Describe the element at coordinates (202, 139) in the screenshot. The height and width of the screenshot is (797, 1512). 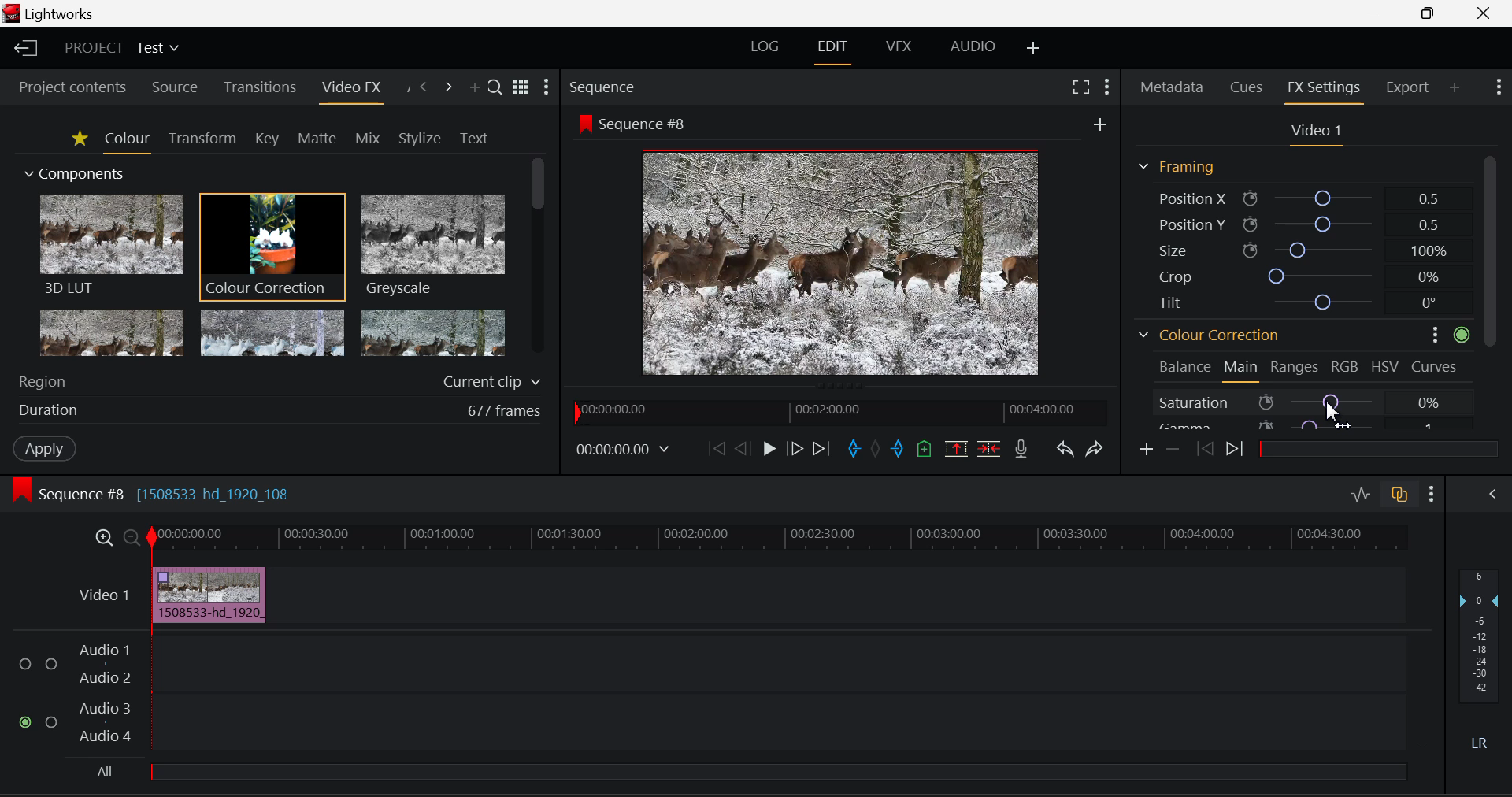
I see `Transform` at that location.